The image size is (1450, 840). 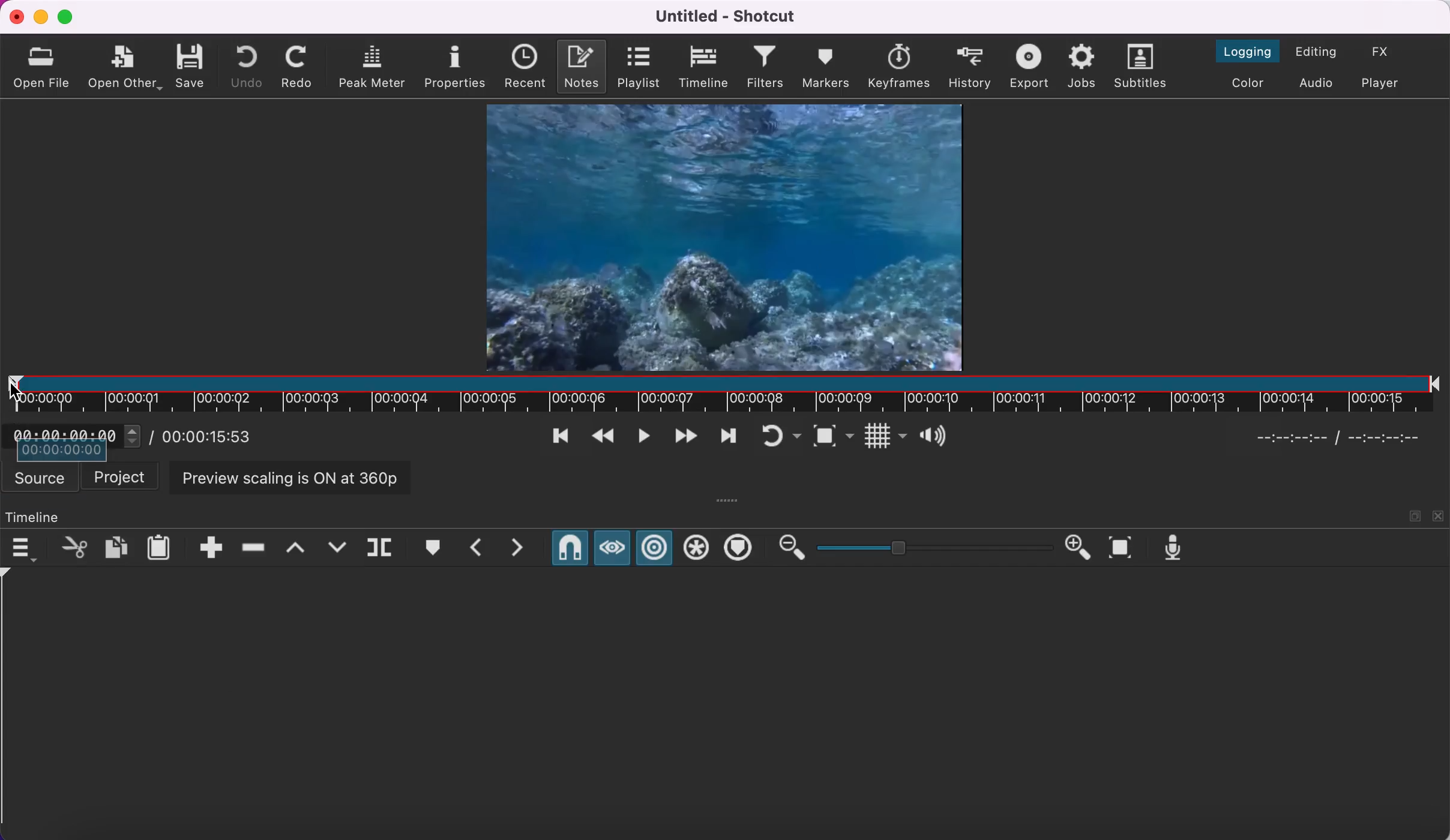 I want to click on play quickly backwards, so click(x=602, y=438).